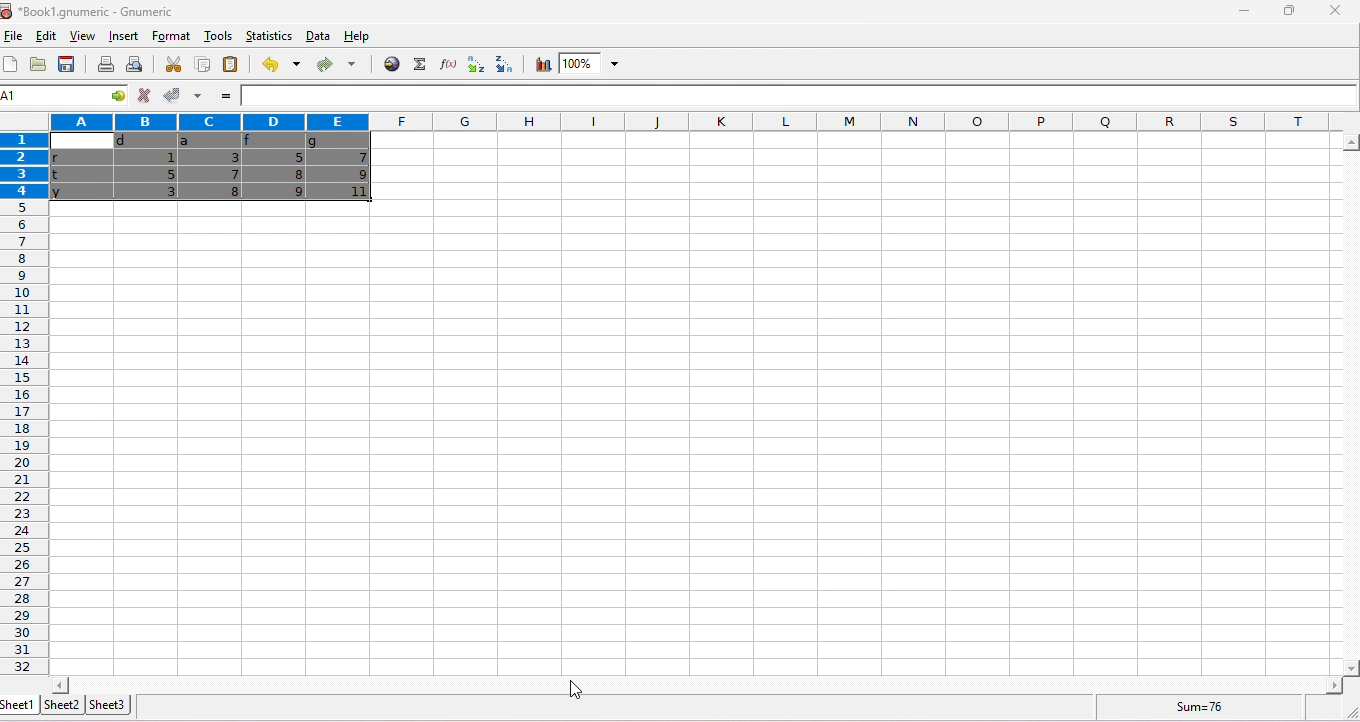  What do you see at coordinates (500, 64) in the screenshot?
I see `sort descending` at bounding box center [500, 64].